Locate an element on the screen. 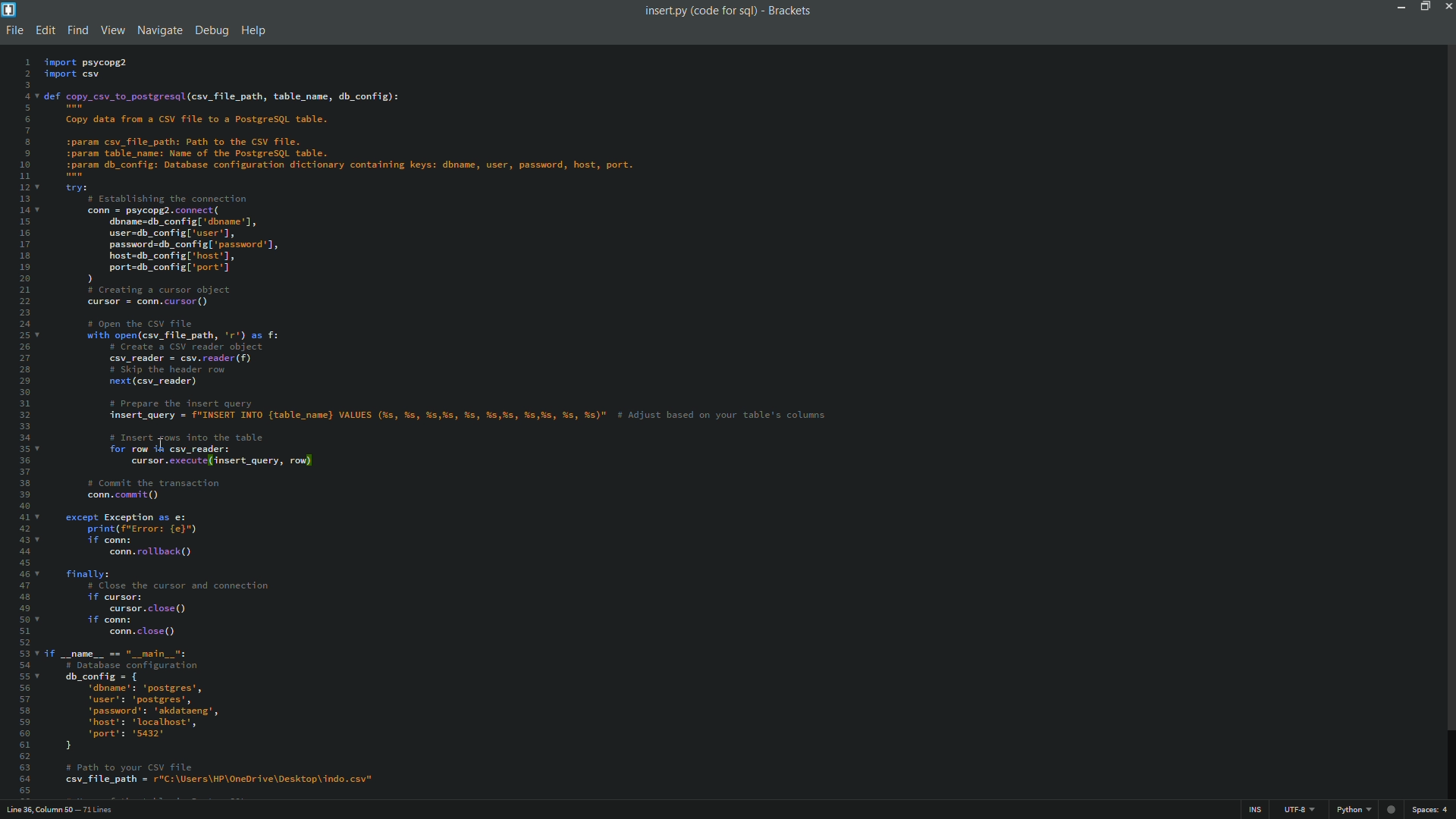 This screenshot has width=1456, height=819. cursor position is located at coordinates (39, 810).